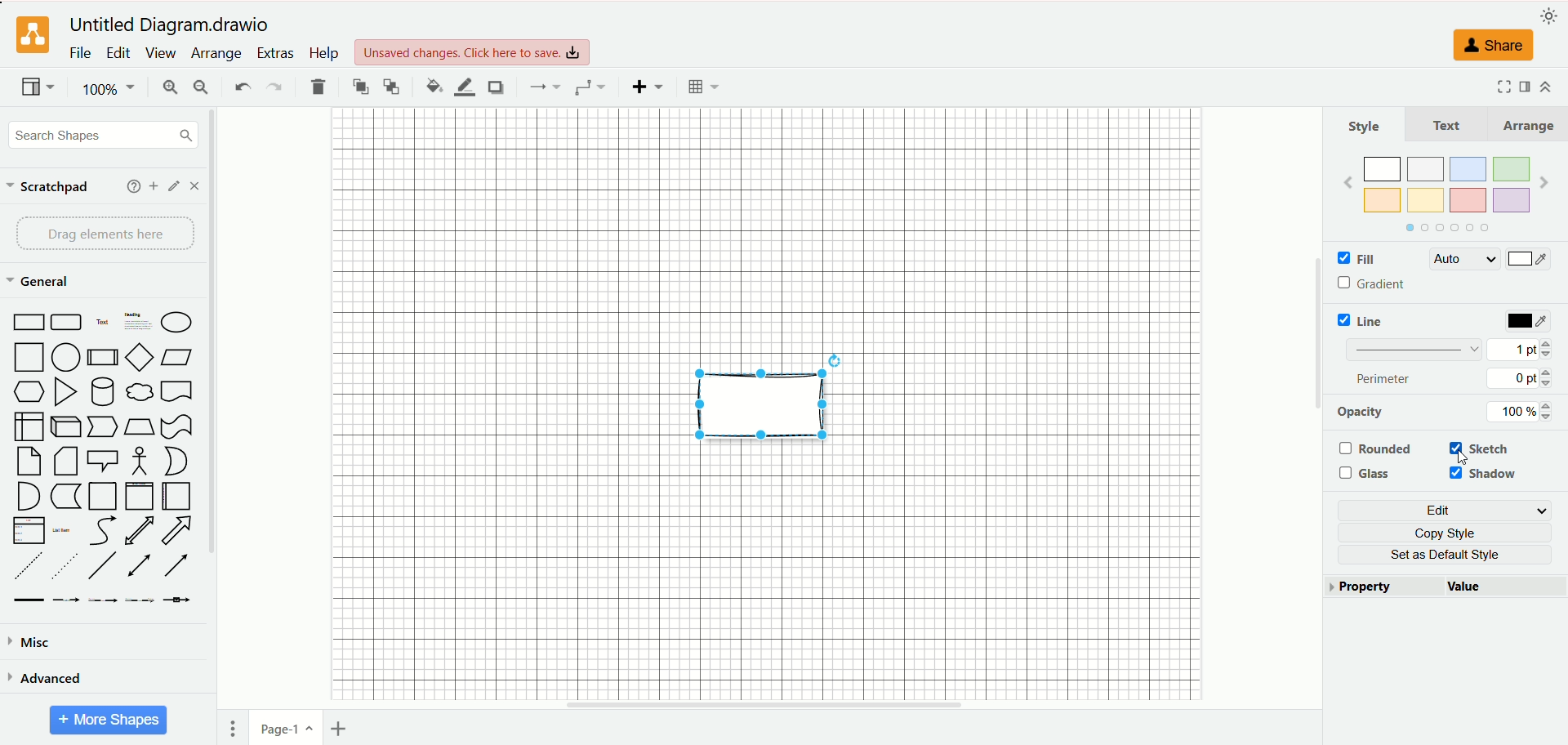 The width and height of the screenshot is (1568, 745). What do you see at coordinates (1525, 412) in the screenshot?
I see `100%` at bounding box center [1525, 412].